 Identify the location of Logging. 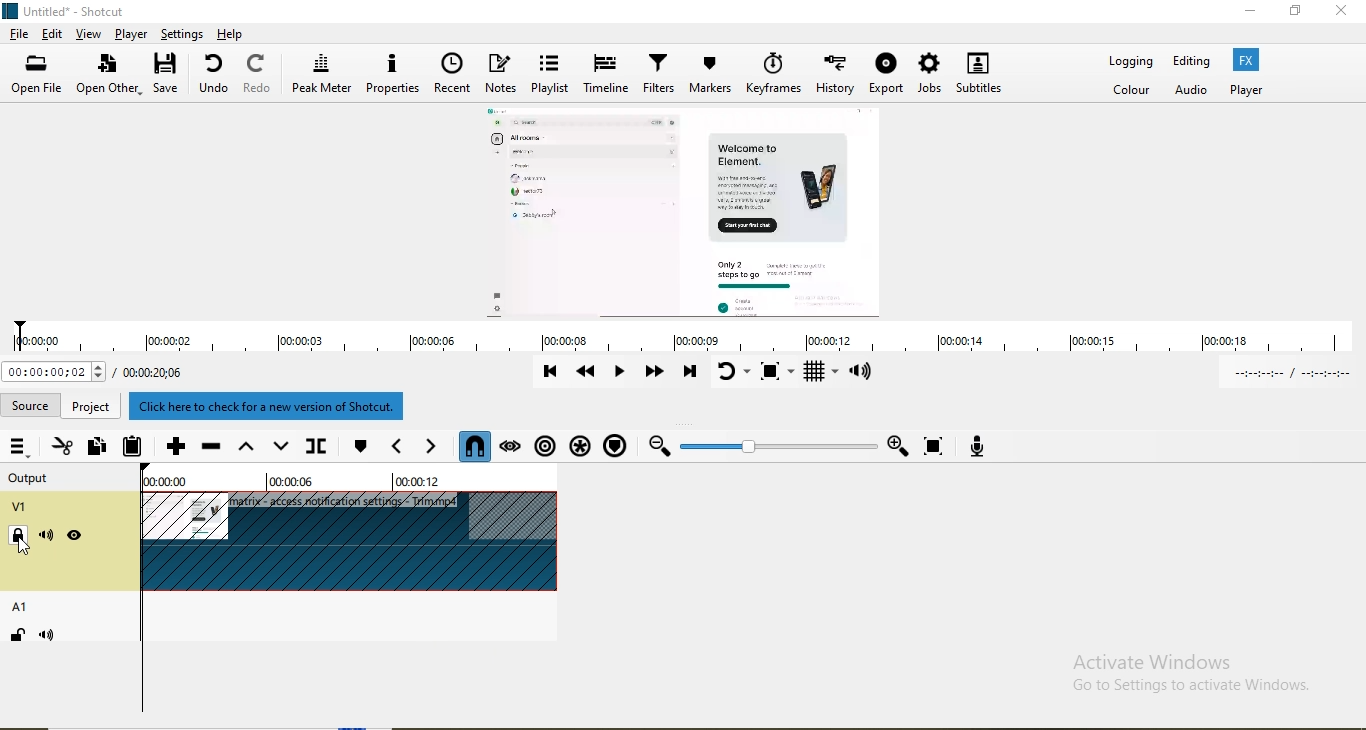
(1132, 60).